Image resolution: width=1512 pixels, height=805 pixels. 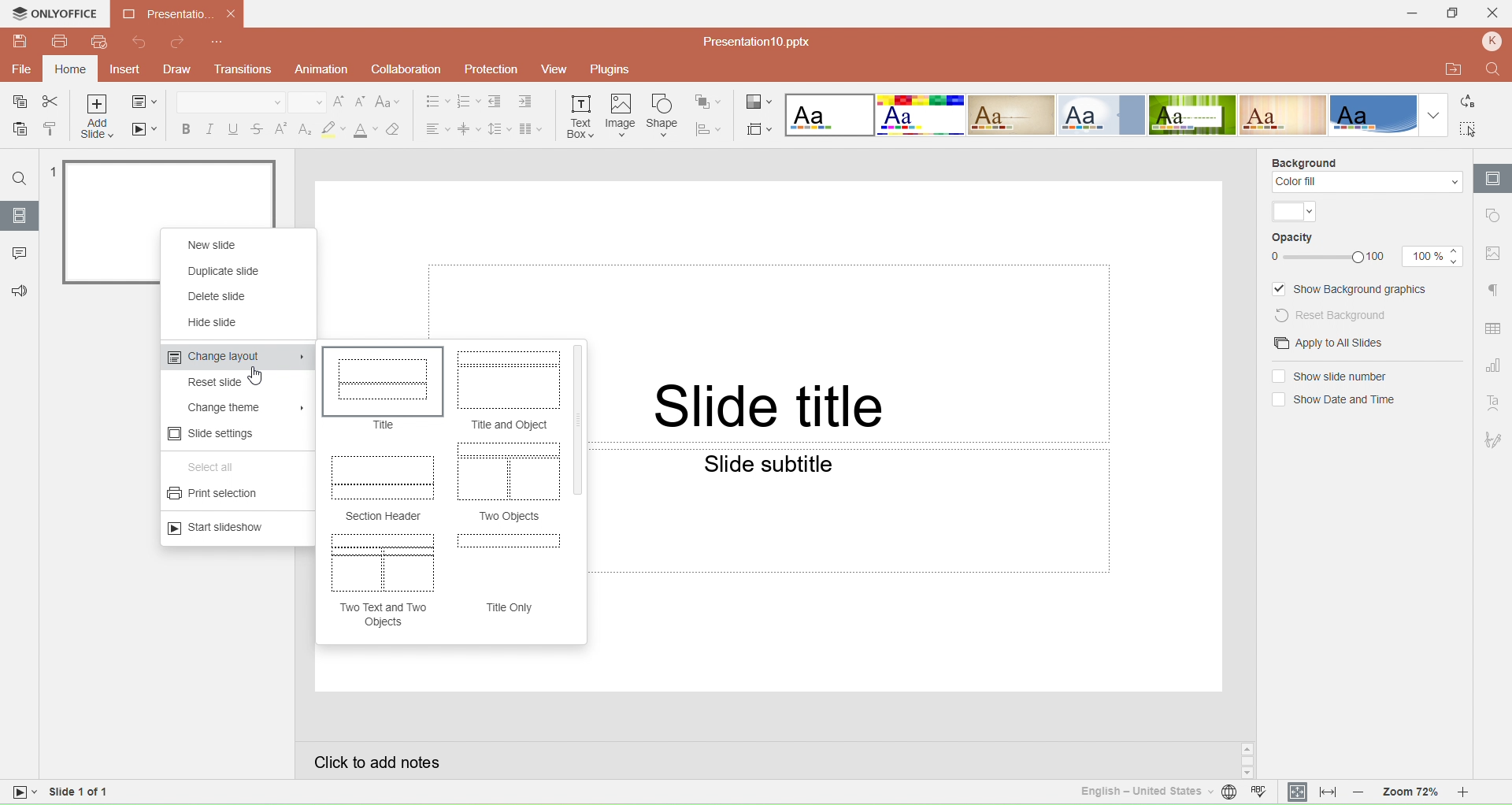 What do you see at coordinates (182, 69) in the screenshot?
I see `Draw` at bounding box center [182, 69].